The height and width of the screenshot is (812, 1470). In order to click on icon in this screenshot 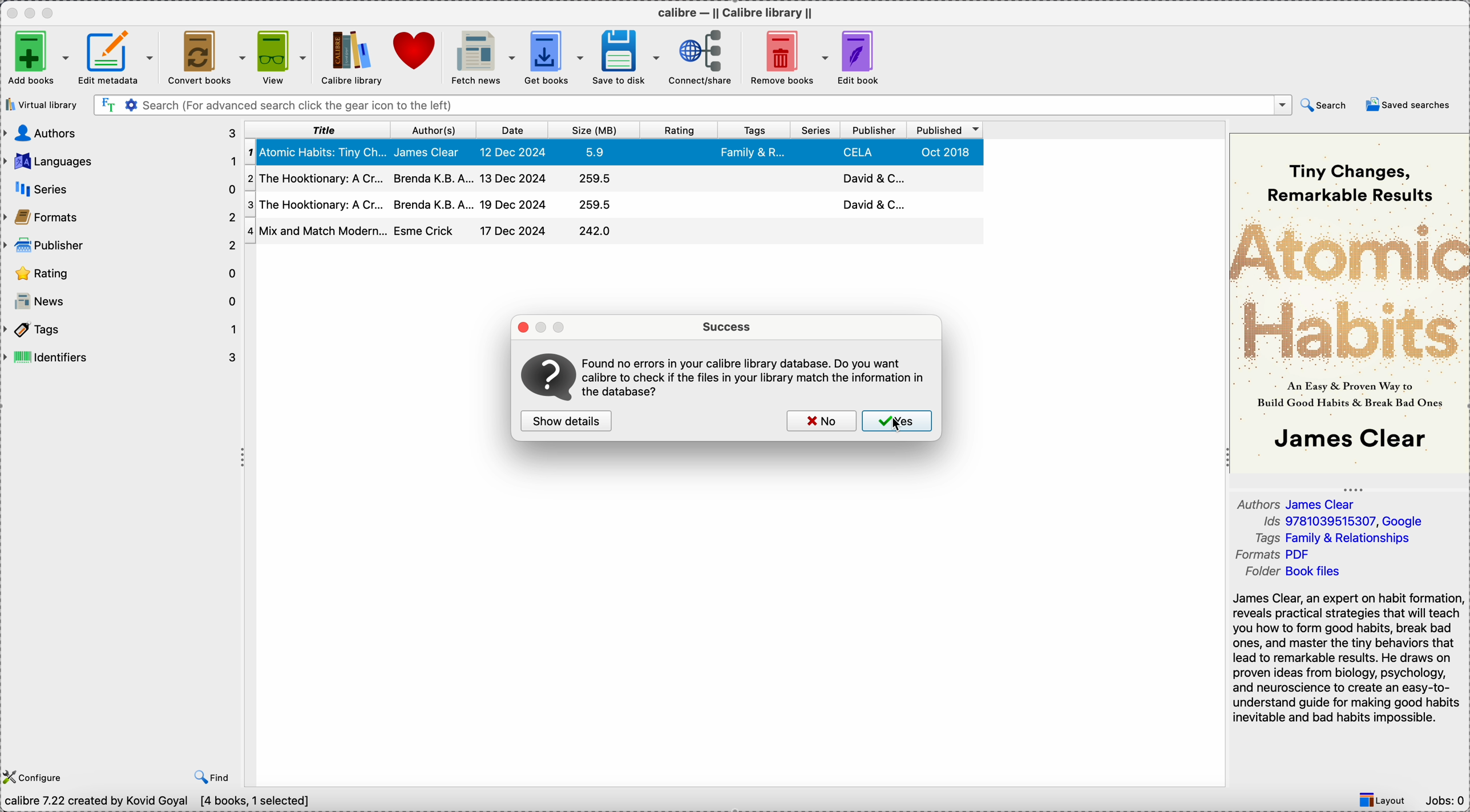, I will do `click(545, 377)`.